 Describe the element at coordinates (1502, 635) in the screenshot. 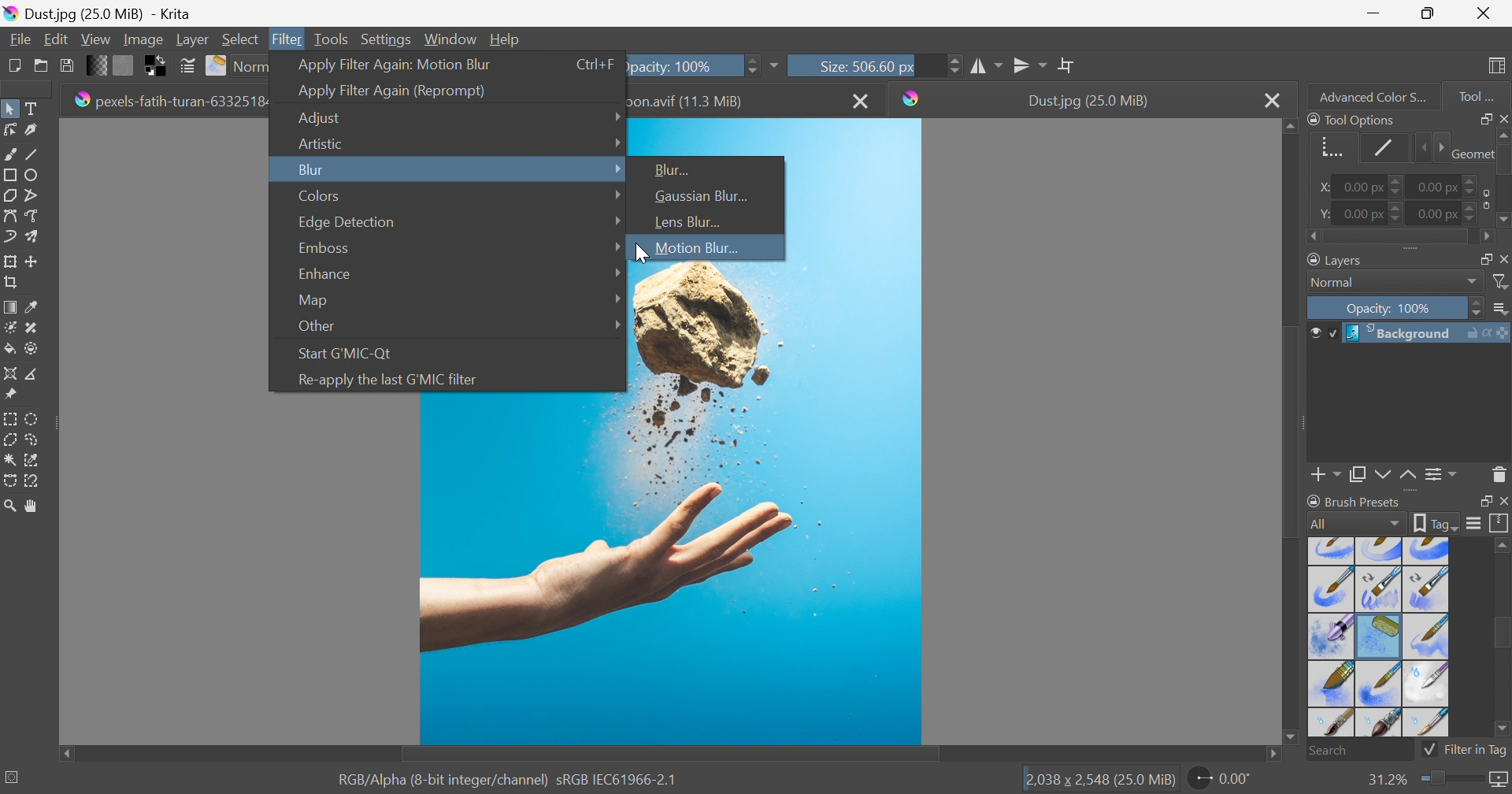

I see `Scroll Bar` at that location.